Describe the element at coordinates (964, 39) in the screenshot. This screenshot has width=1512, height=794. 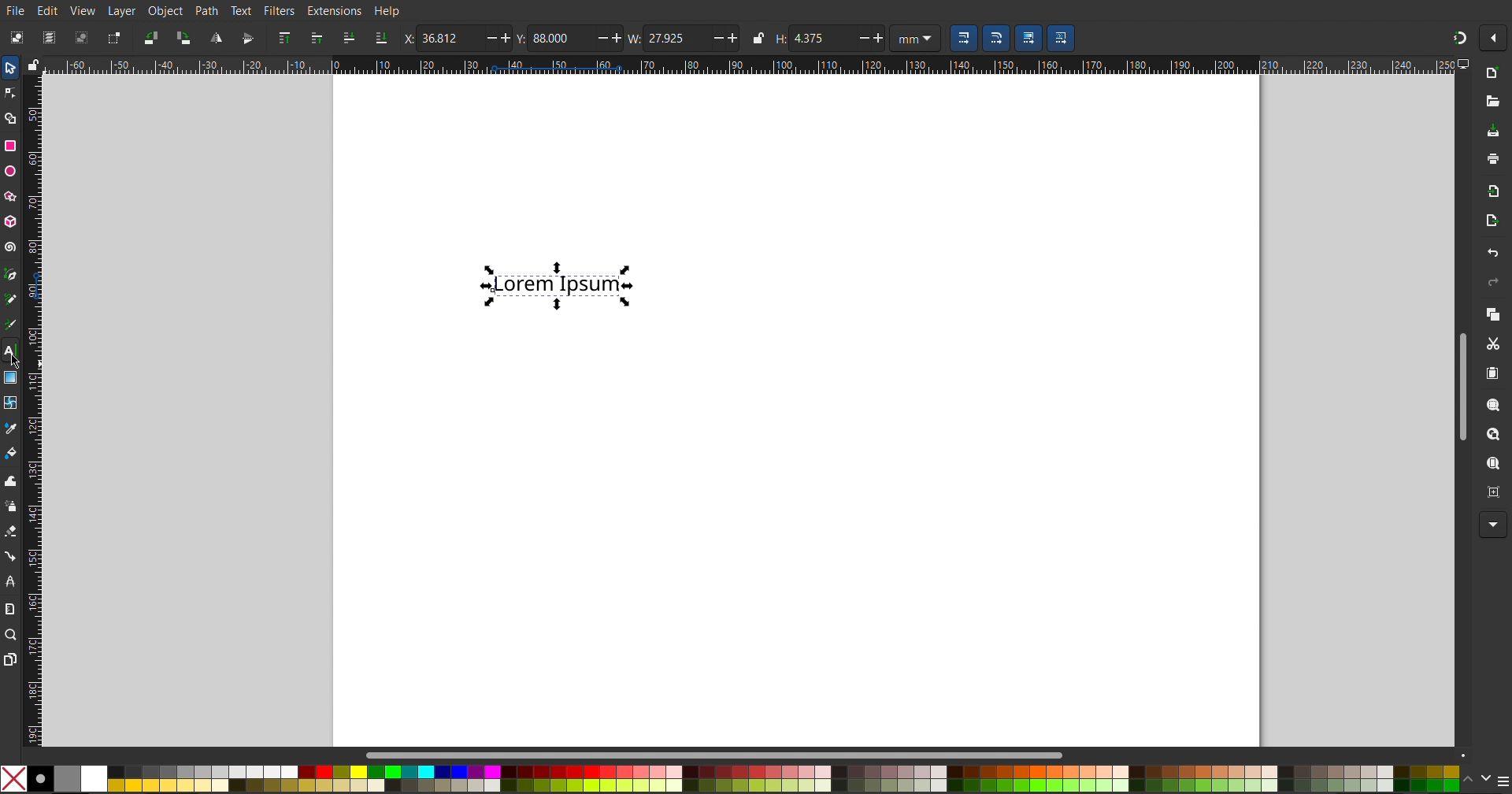
I see `Scale stroke with object` at that location.